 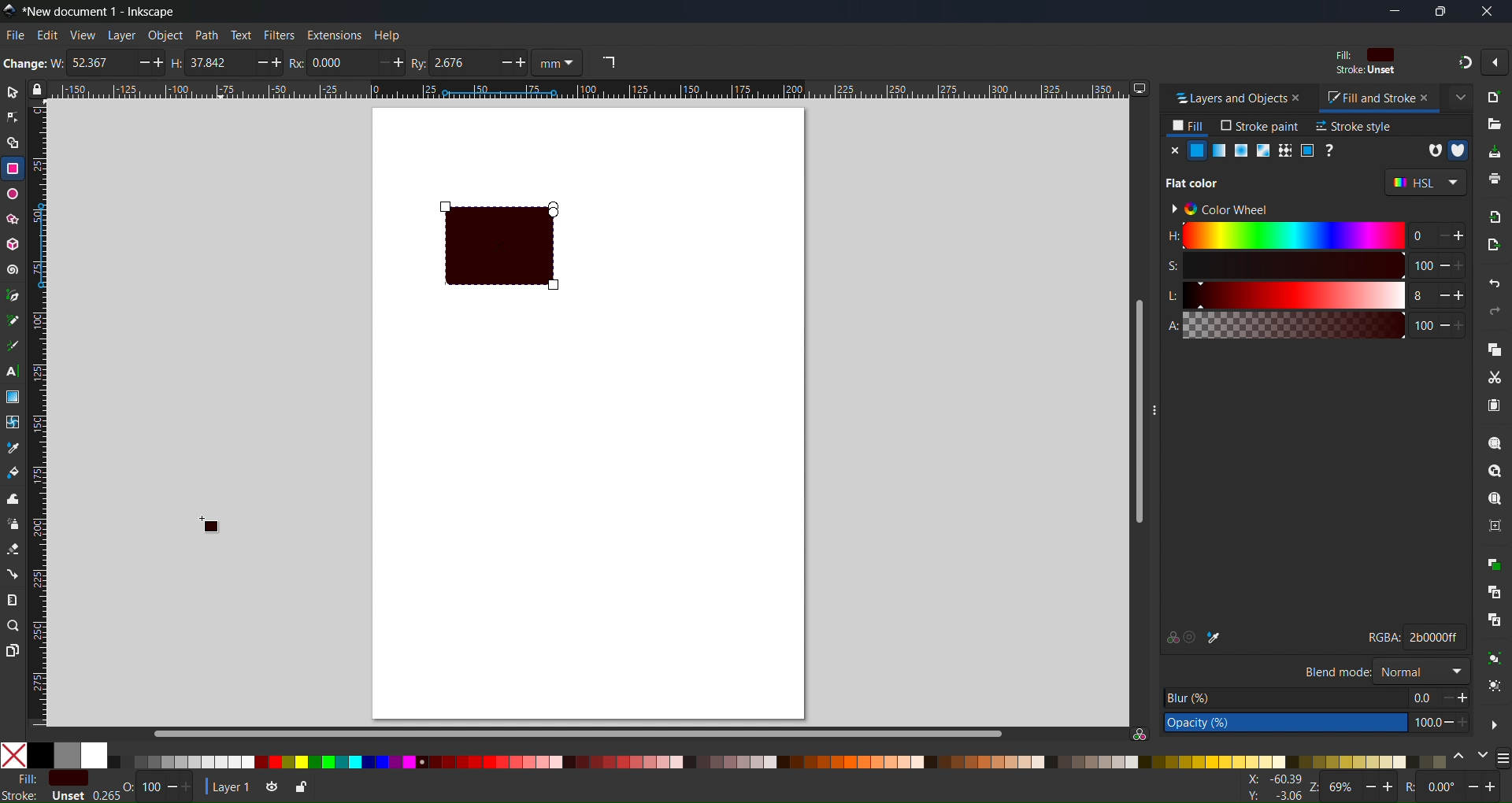 What do you see at coordinates (1494, 62) in the screenshot?
I see `Enable snapping` at bounding box center [1494, 62].